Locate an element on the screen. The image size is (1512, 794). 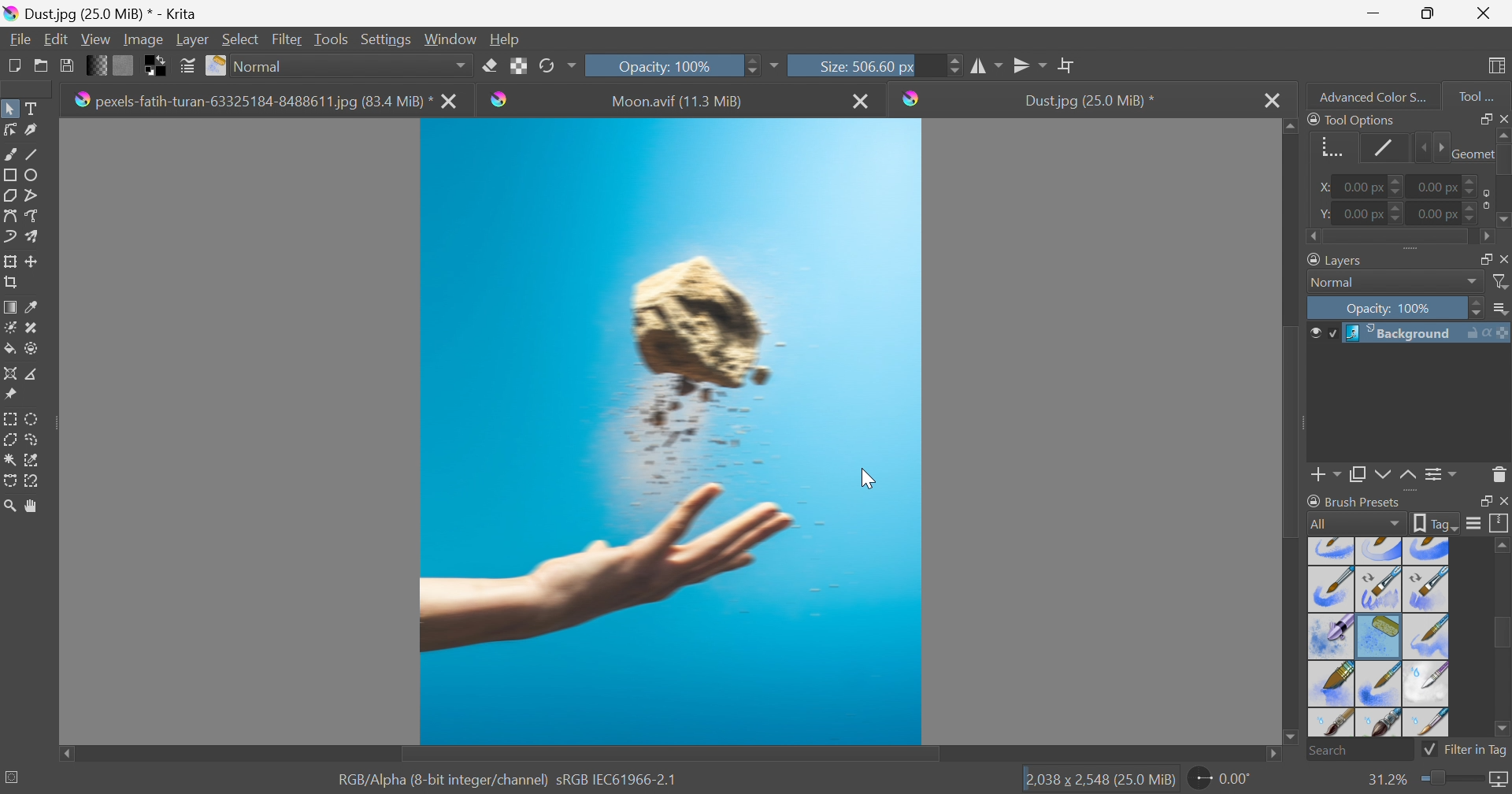
2,038*2,548 (25.0 MB) is located at coordinates (1100, 781).